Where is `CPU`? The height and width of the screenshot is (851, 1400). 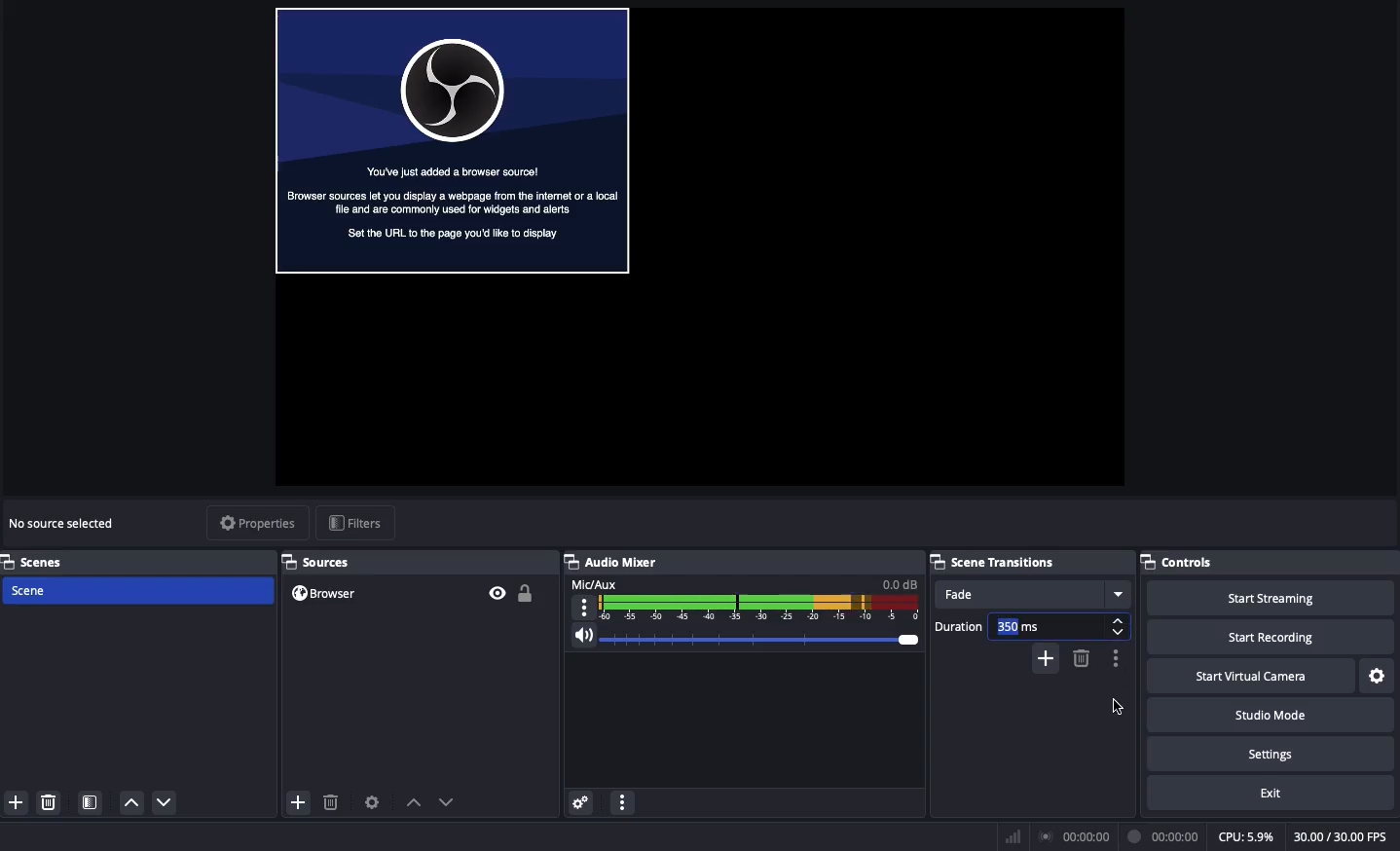 CPU is located at coordinates (1243, 836).